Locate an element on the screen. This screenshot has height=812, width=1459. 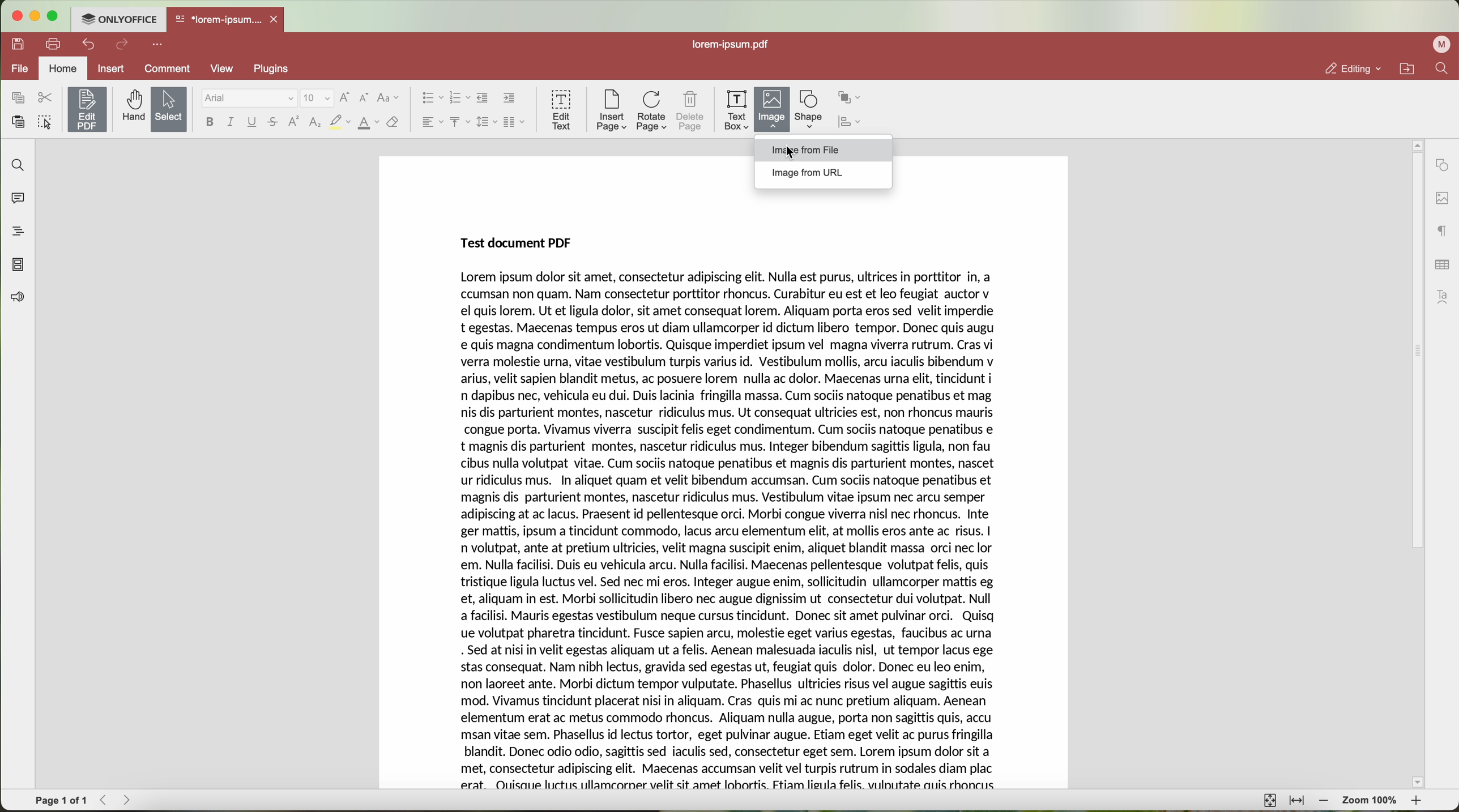
Image is located at coordinates (773, 110).